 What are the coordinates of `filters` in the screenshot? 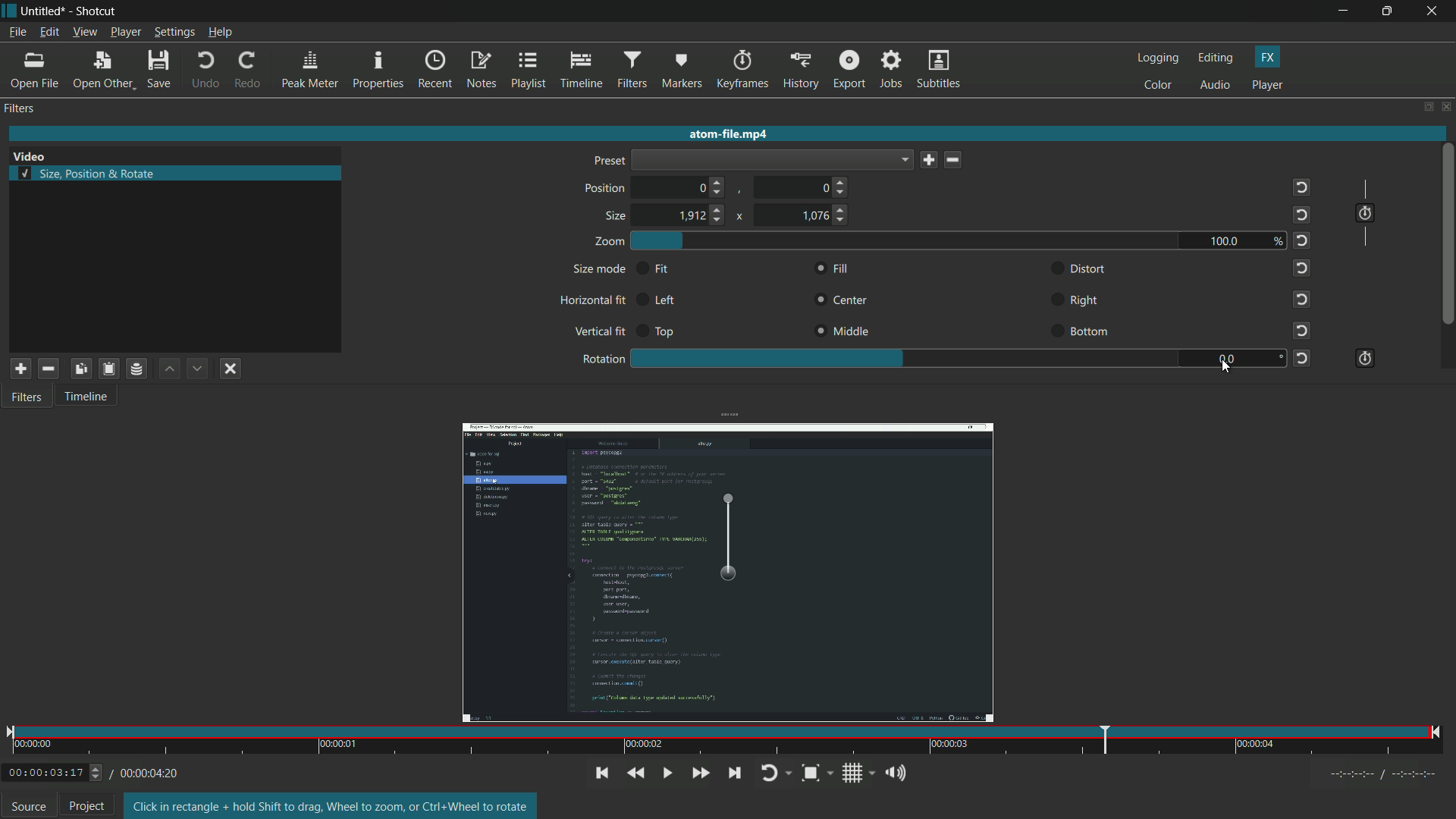 It's located at (630, 71).